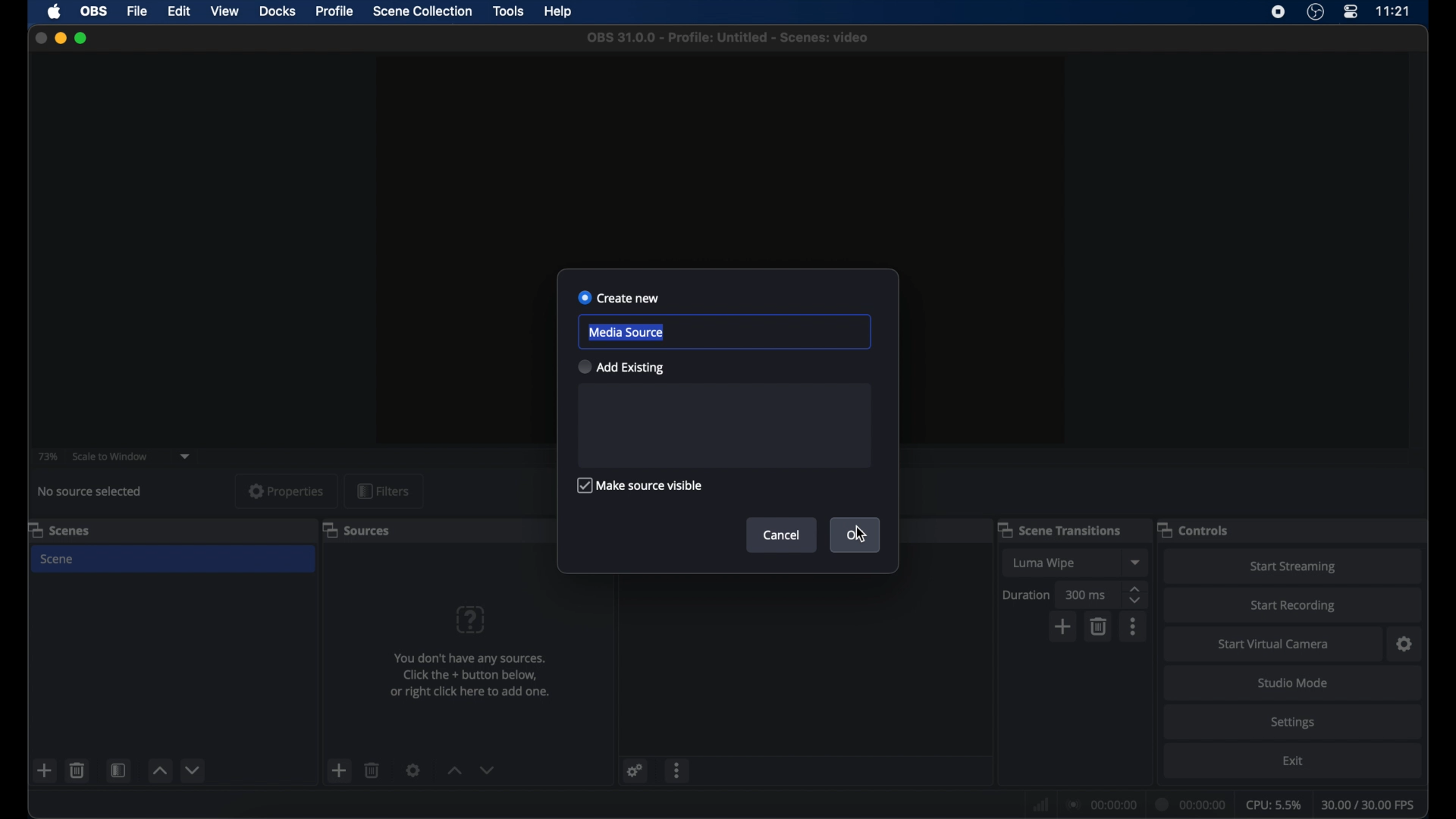 The height and width of the screenshot is (819, 1456). Describe the element at coordinates (863, 535) in the screenshot. I see `cursor` at that location.